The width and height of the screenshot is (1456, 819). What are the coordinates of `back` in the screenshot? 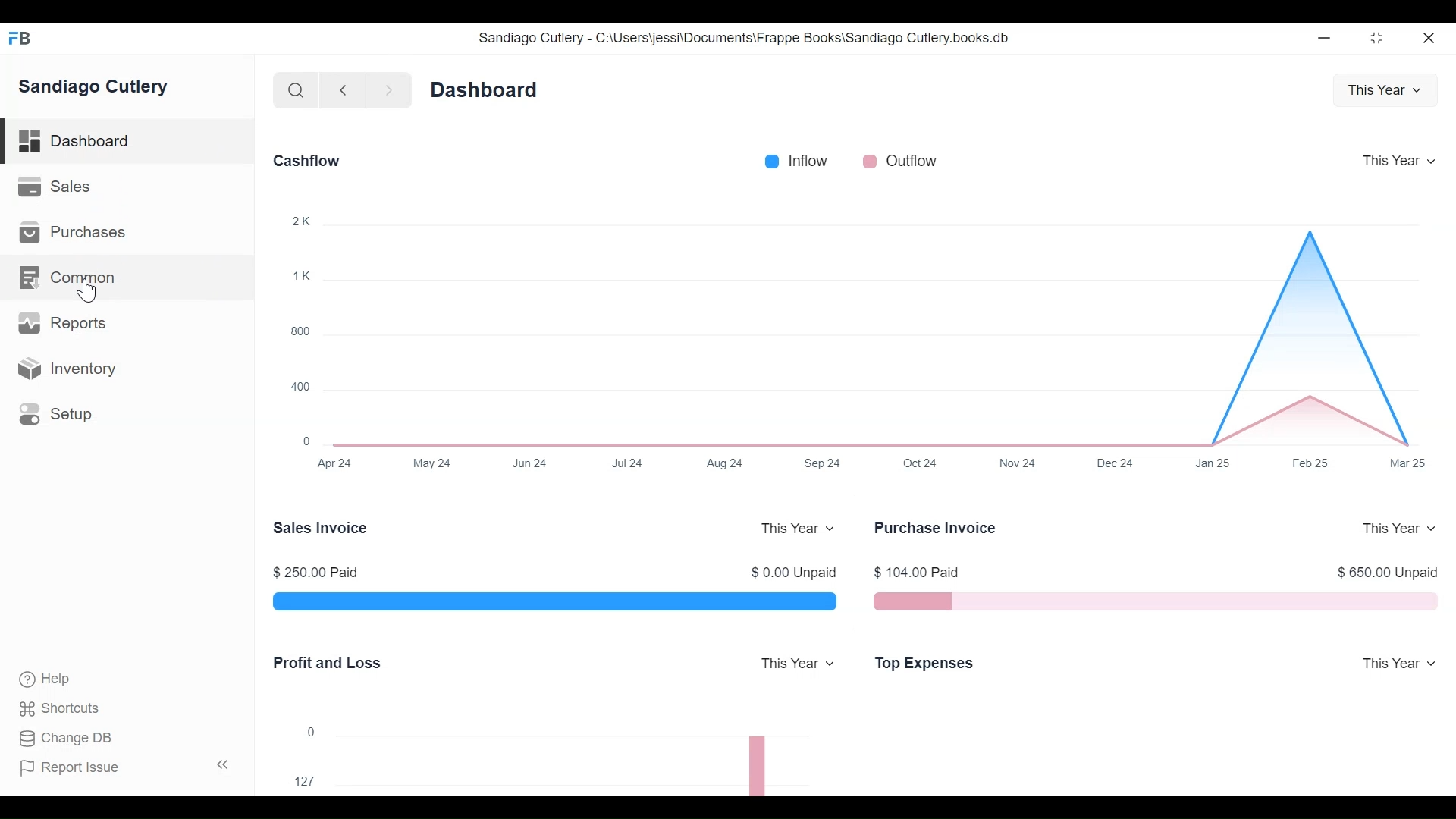 It's located at (343, 89).